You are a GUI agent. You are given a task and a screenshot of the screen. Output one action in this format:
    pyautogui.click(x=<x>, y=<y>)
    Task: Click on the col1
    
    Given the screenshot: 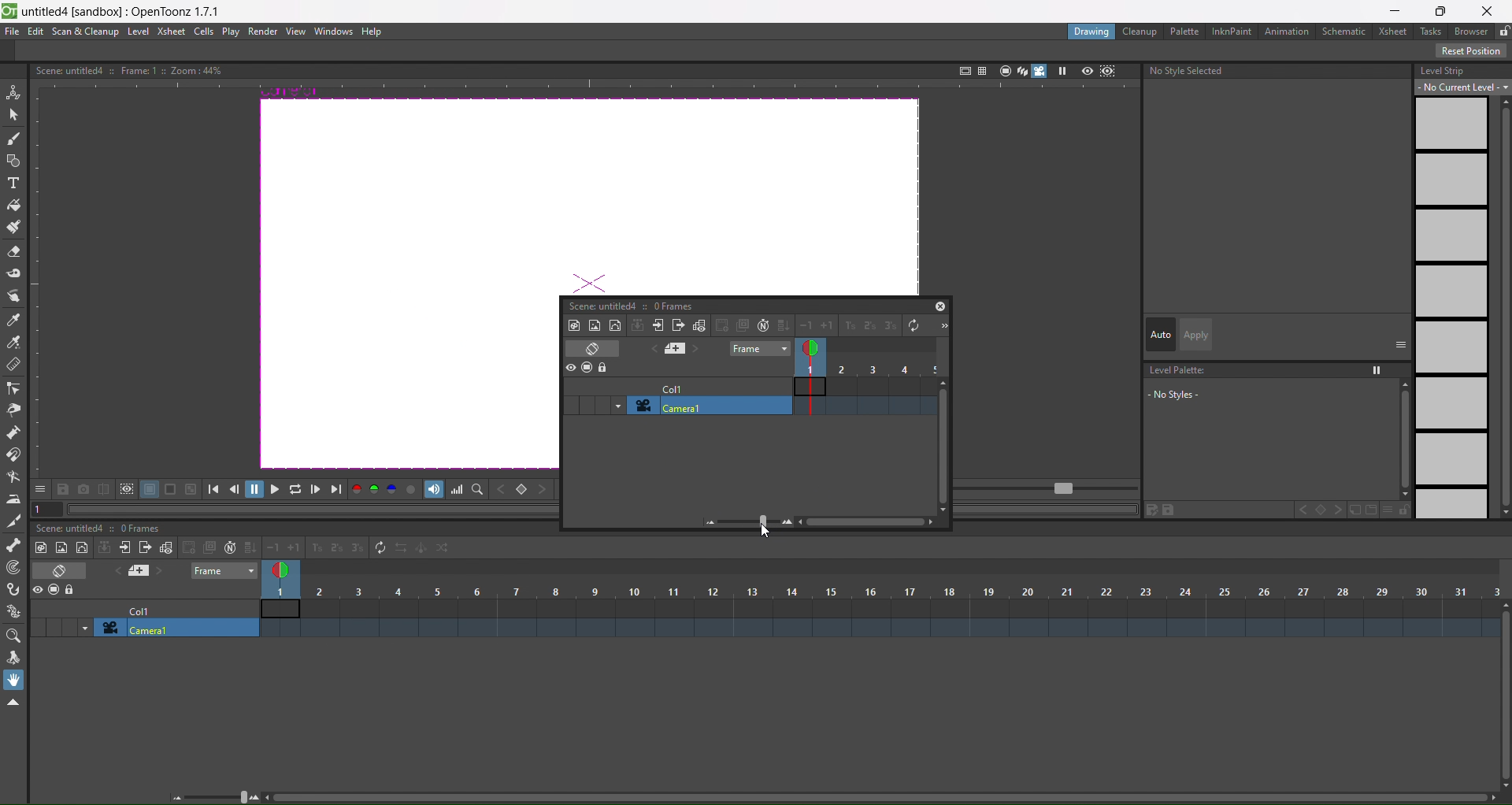 What is the action you would take?
    pyautogui.click(x=672, y=387)
    